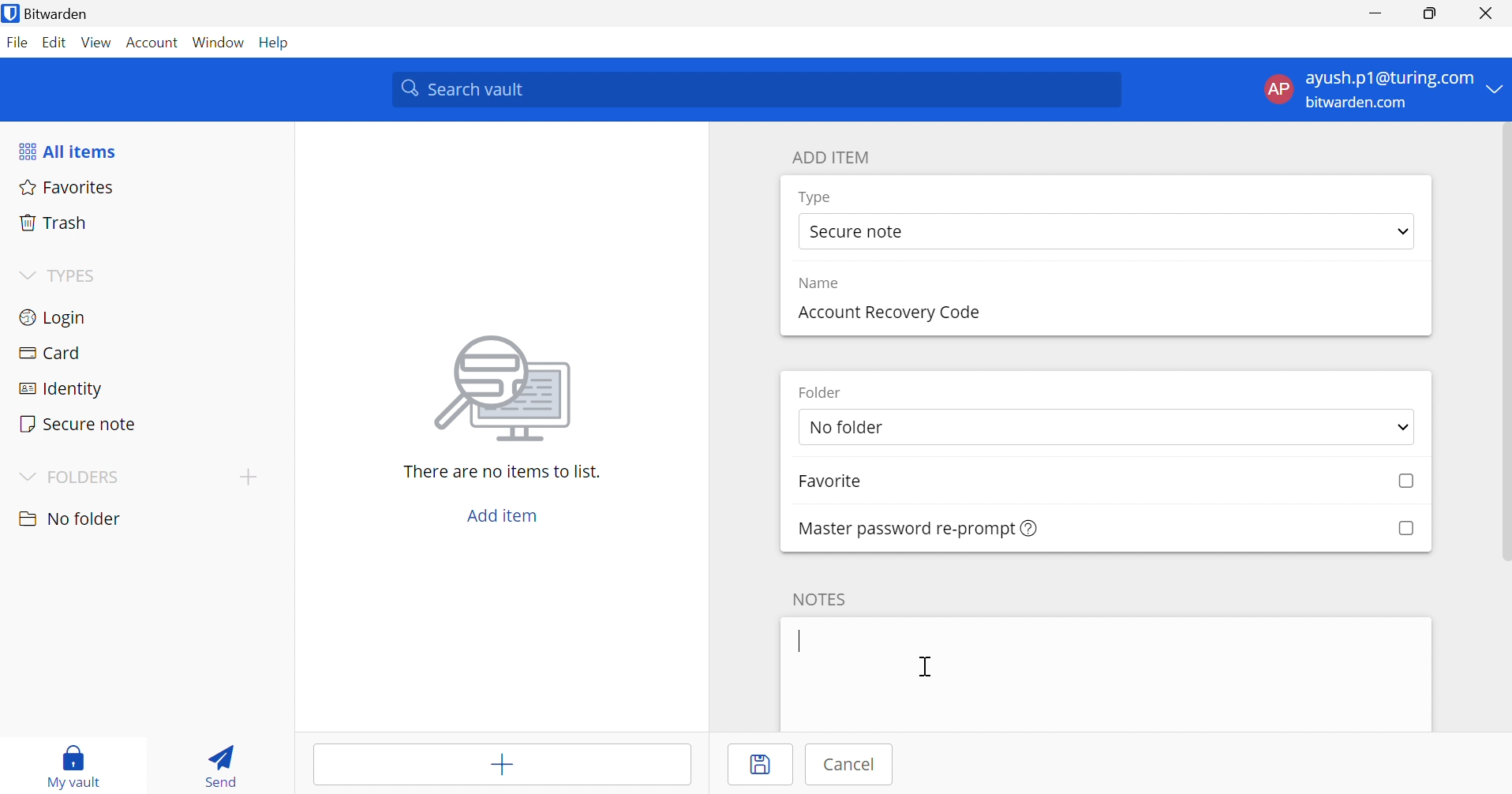  What do you see at coordinates (1389, 79) in the screenshot?
I see `ayush.p1@turing.com` at bounding box center [1389, 79].